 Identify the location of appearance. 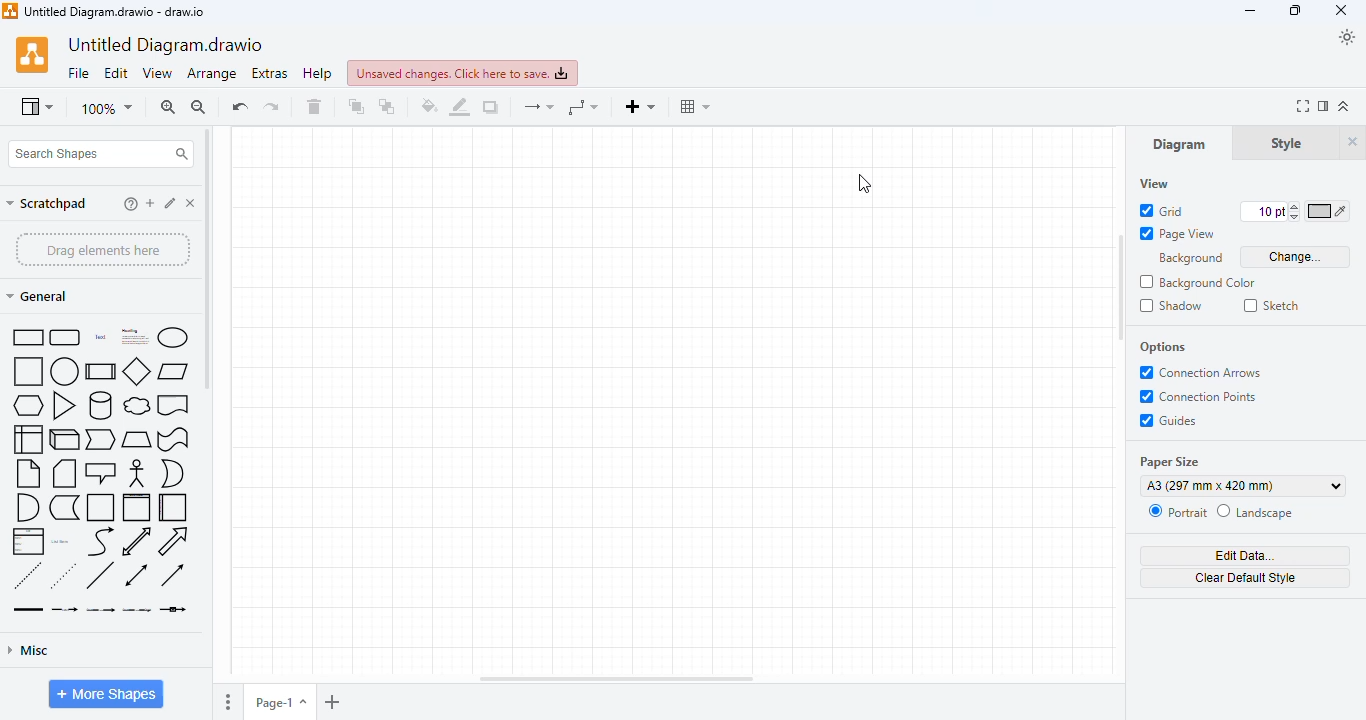
(1347, 37).